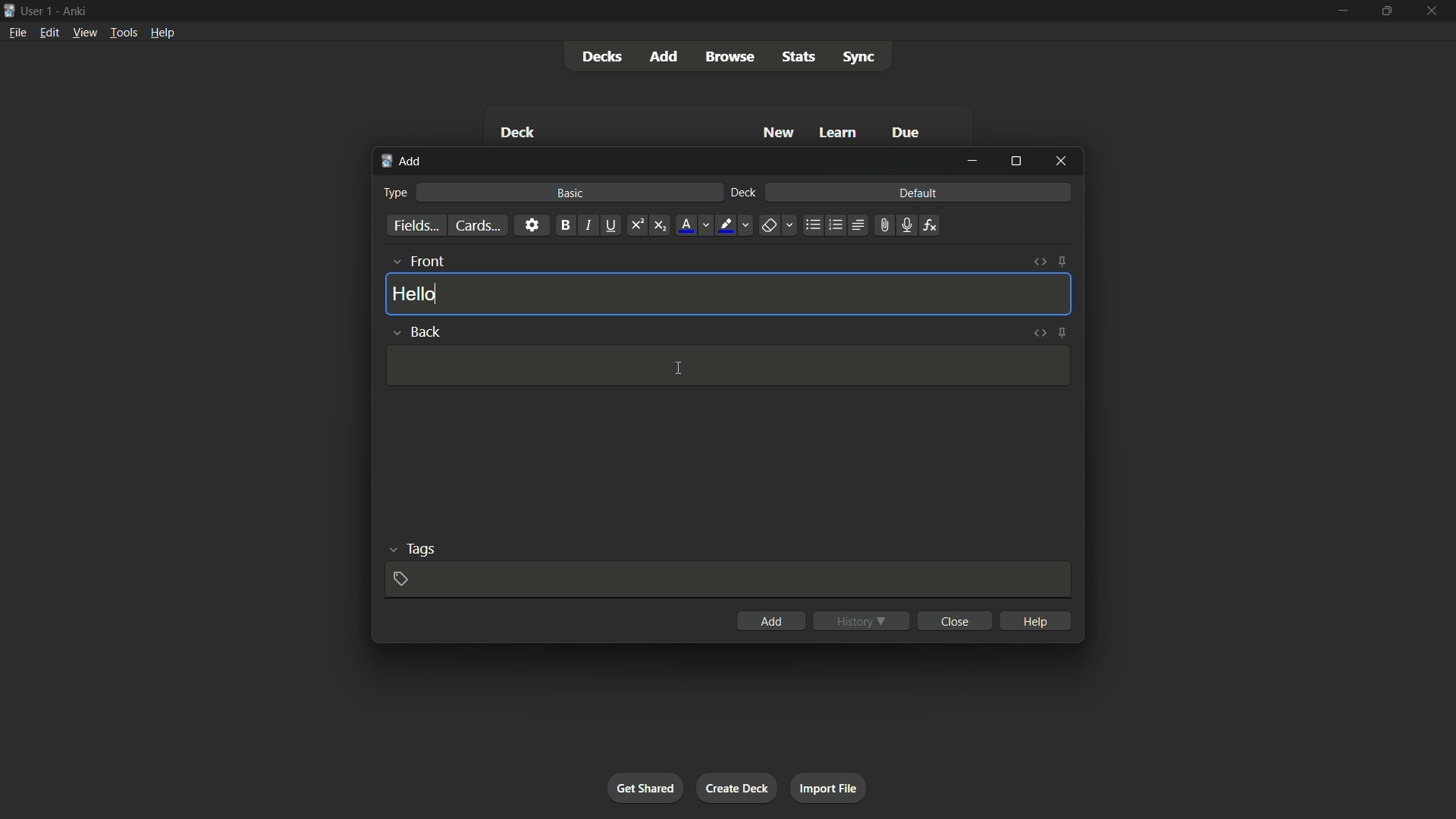 The height and width of the screenshot is (819, 1456). What do you see at coordinates (610, 224) in the screenshot?
I see `underline` at bounding box center [610, 224].